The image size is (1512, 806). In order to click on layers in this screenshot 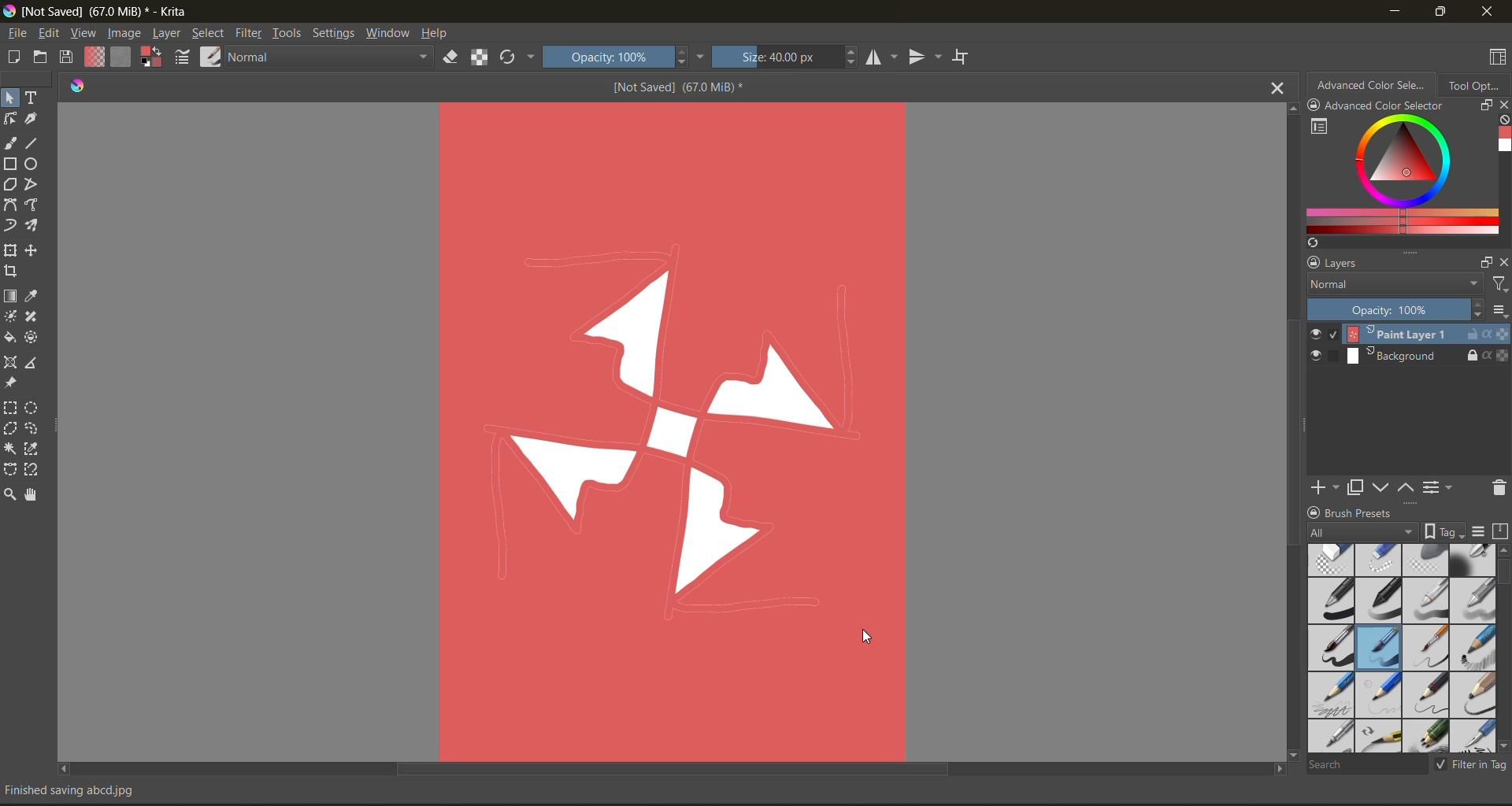, I will do `click(1387, 264)`.